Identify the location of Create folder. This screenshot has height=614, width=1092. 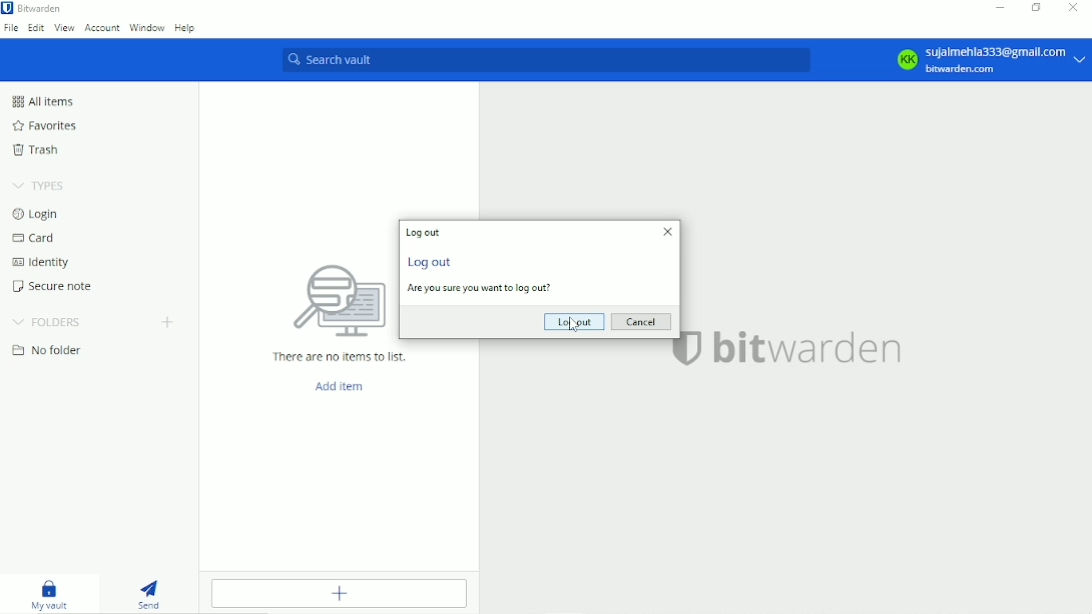
(167, 323).